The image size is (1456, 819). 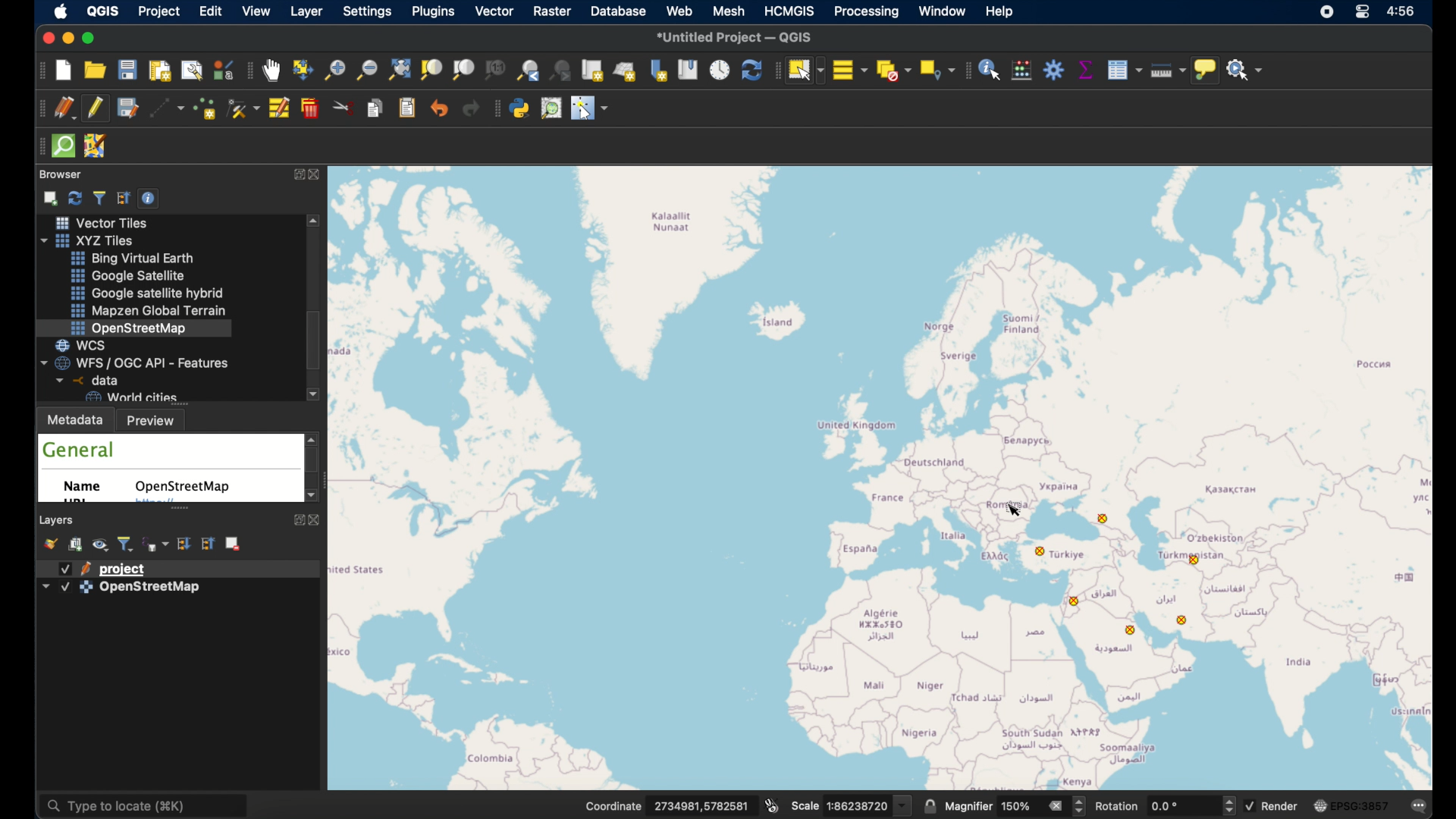 I want to click on checkbox, so click(x=65, y=588).